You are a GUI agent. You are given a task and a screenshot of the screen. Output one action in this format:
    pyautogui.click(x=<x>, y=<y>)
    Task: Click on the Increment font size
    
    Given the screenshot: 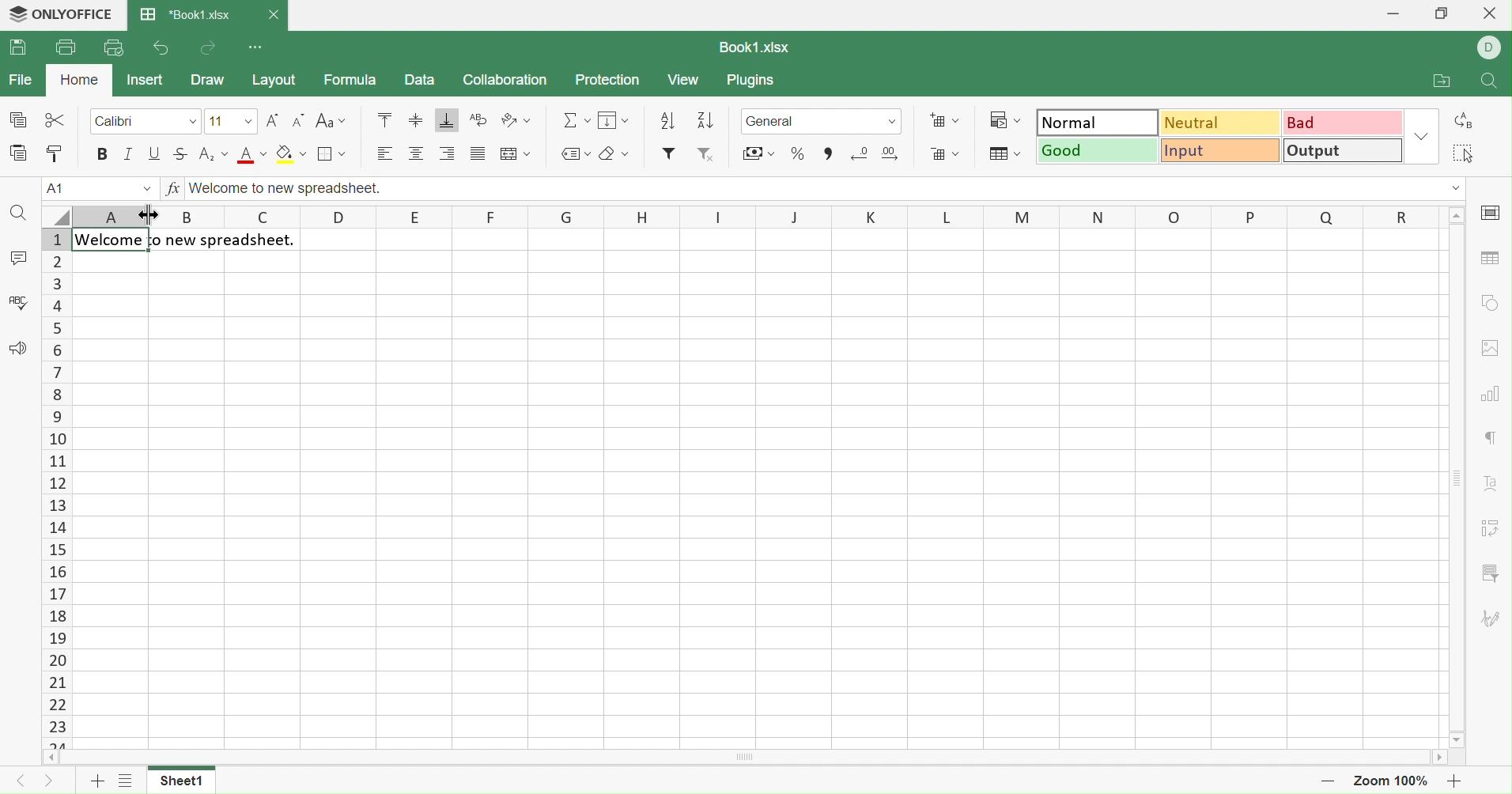 What is the action you would take?
    pyautogui.click(x=272, y=120)
    